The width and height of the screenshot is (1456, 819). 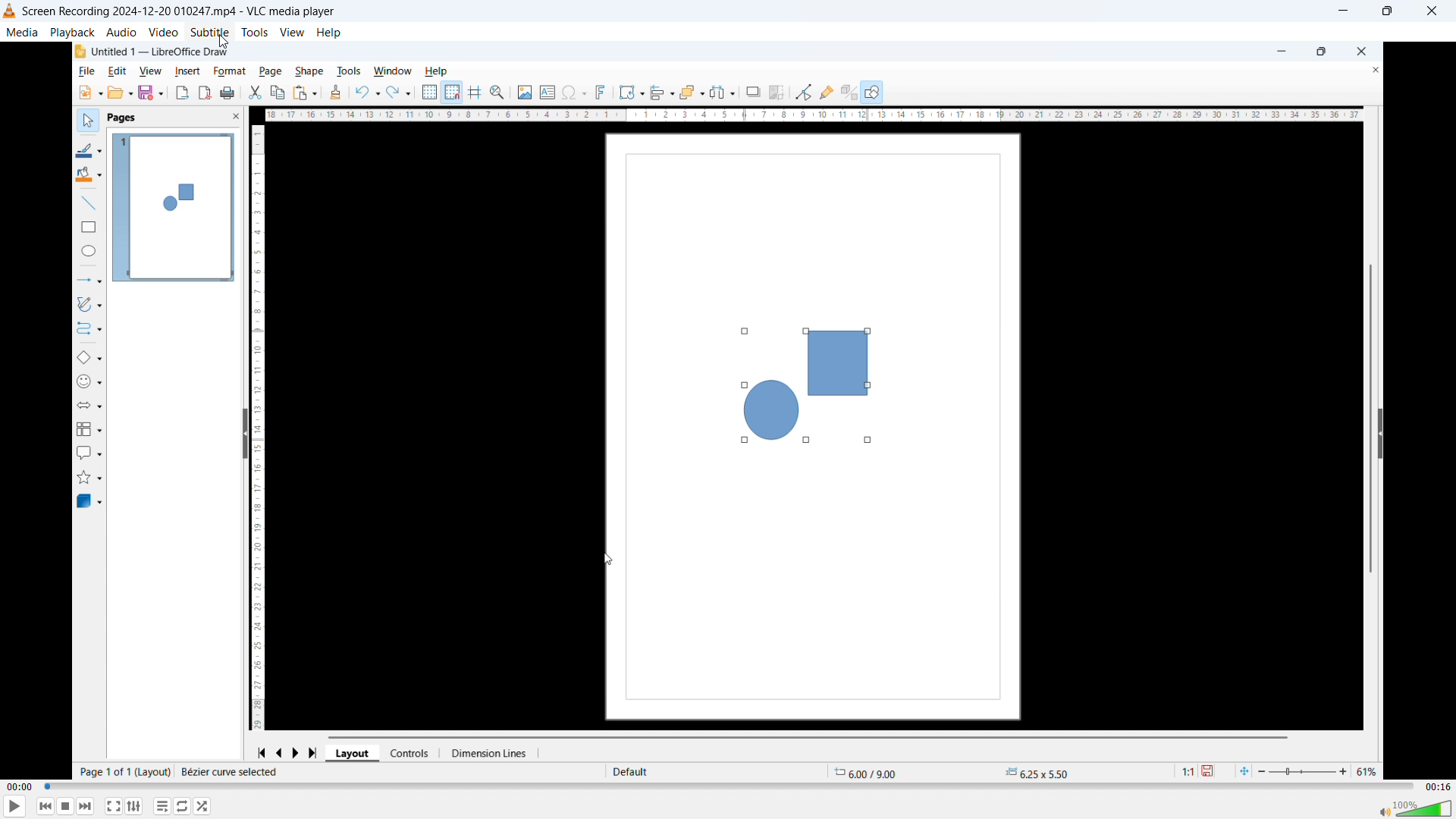 What do you see at coordinates (440, 70) in the screenshot?
I see `help` at bounding box center [440, 70].